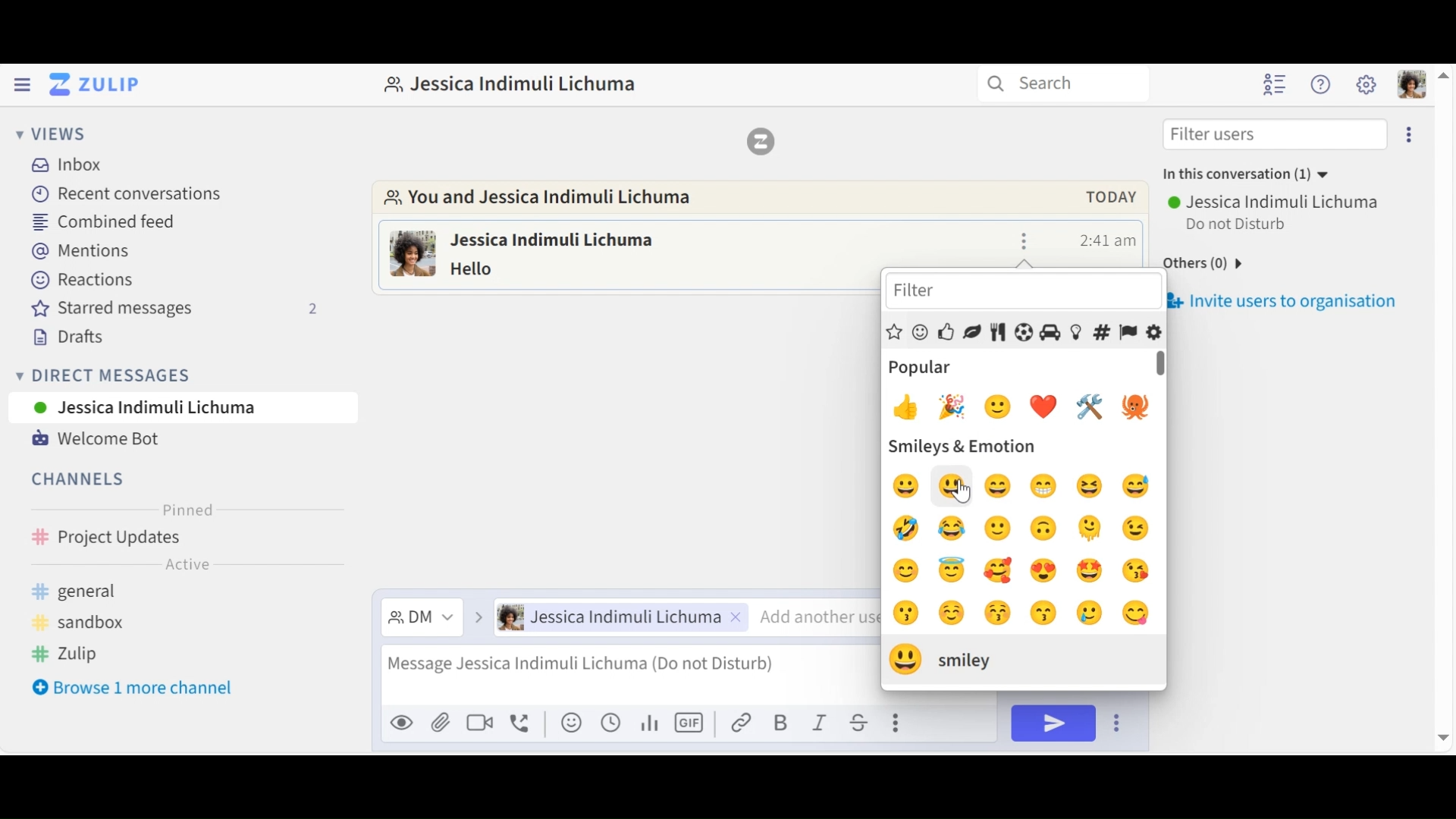 Image resolution: width=1456 pixels, height=819 pixels. Describe the element at coordinates (904, 615) in the screenshot. I see `pout` at that location.